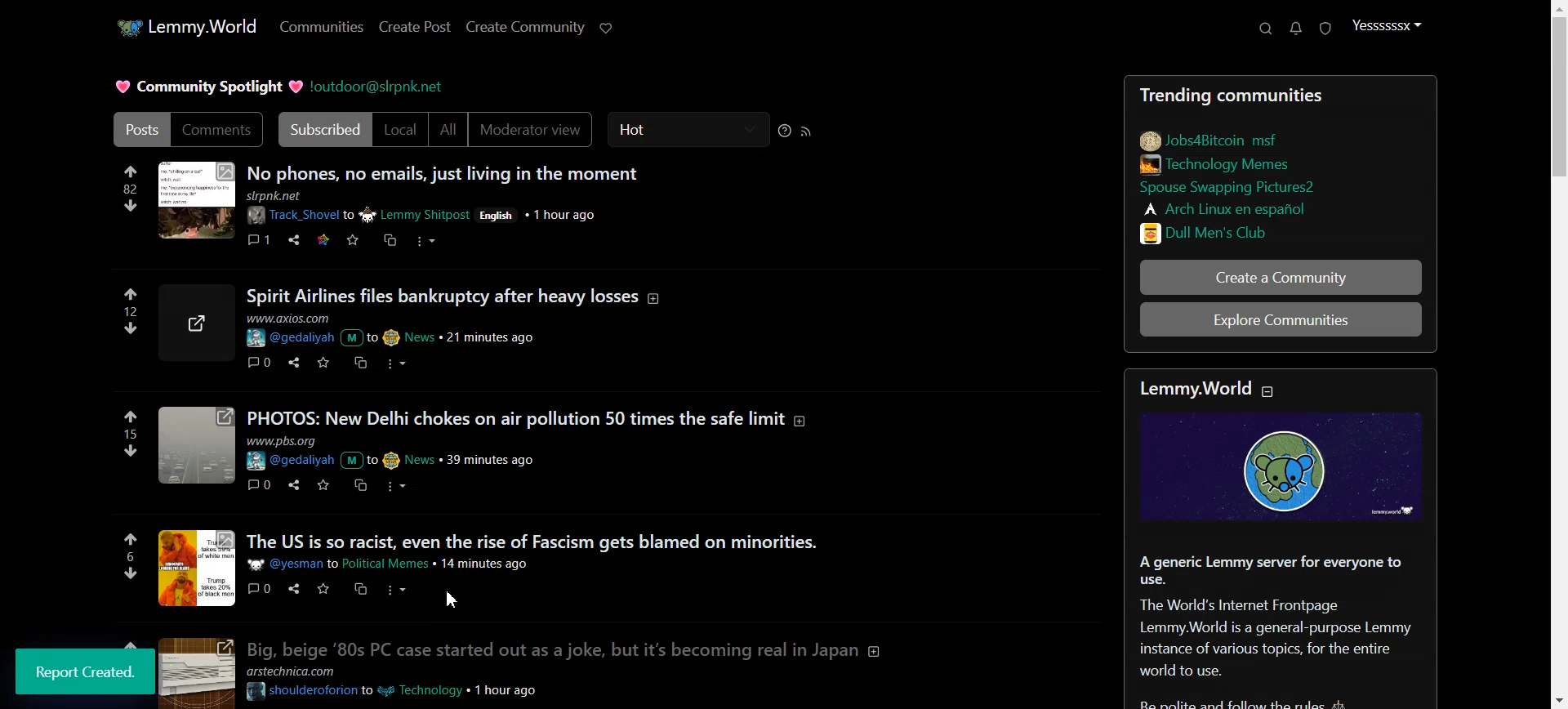  What do you see at coordinates (291, 361) in the screenshot?
I see `share` at bounding box center [291, 361].